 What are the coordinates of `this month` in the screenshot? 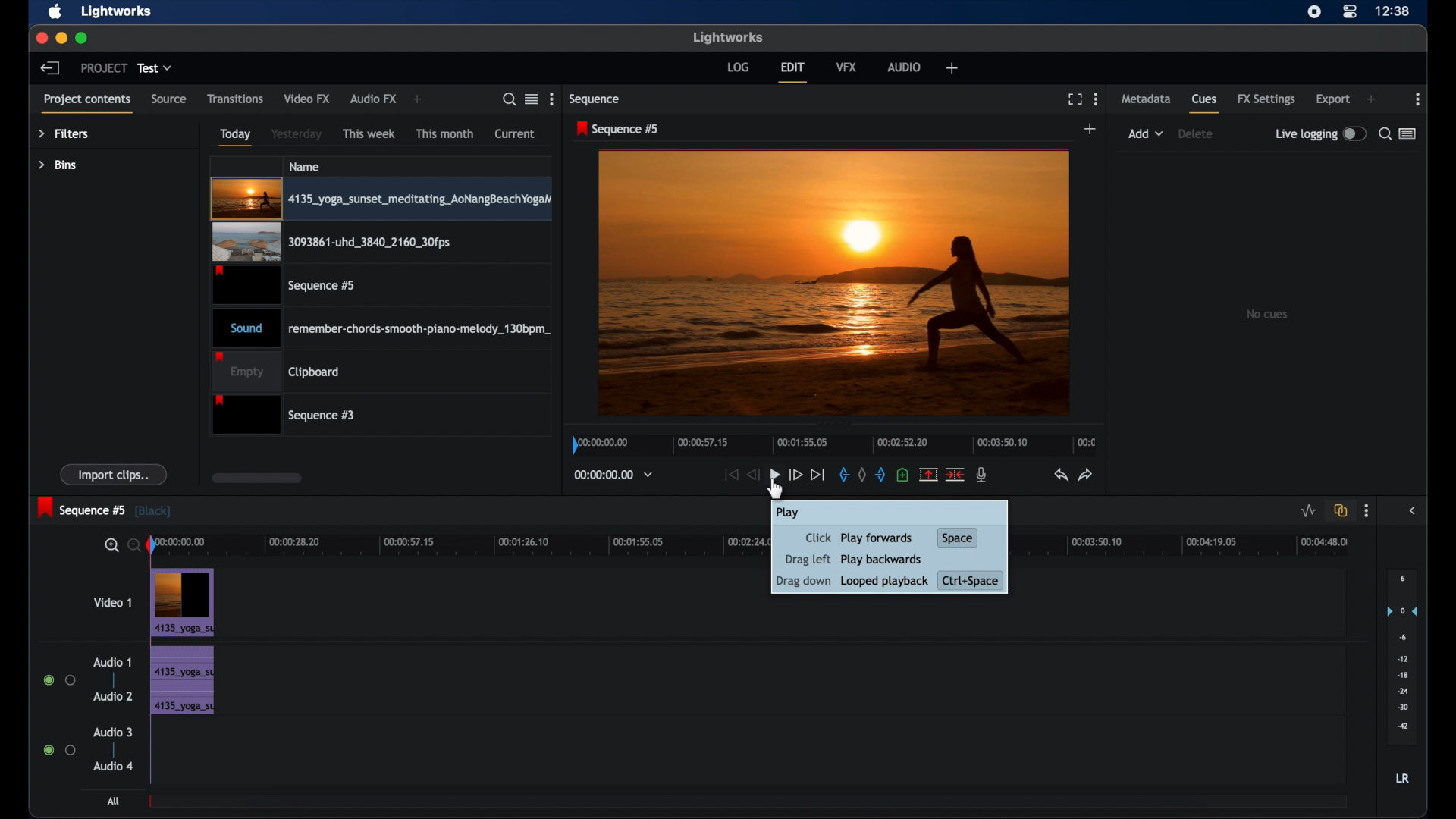 It's located at (444, 133).